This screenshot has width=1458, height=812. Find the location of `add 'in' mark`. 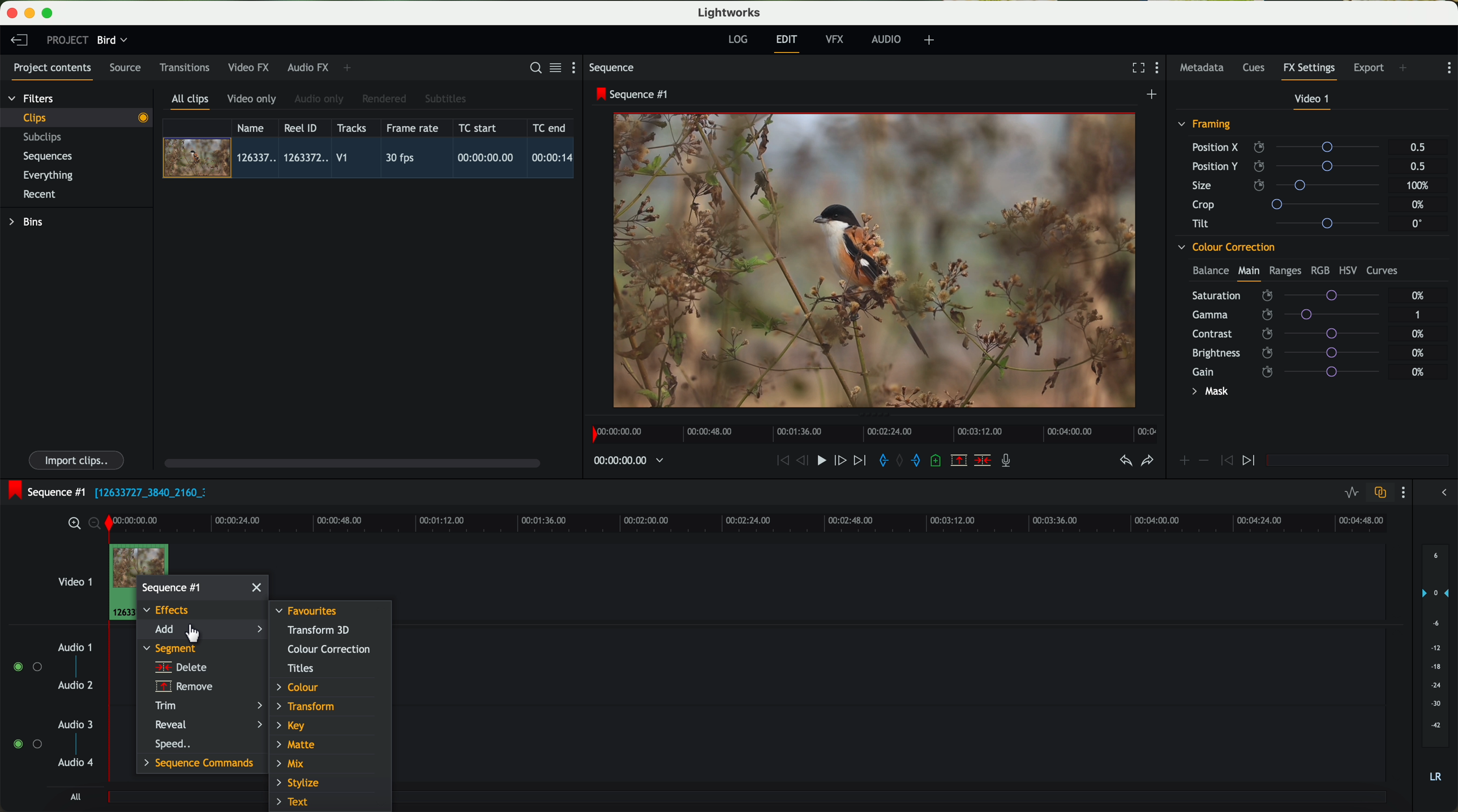

add 'in' mark is located at coordinates (880, 462).